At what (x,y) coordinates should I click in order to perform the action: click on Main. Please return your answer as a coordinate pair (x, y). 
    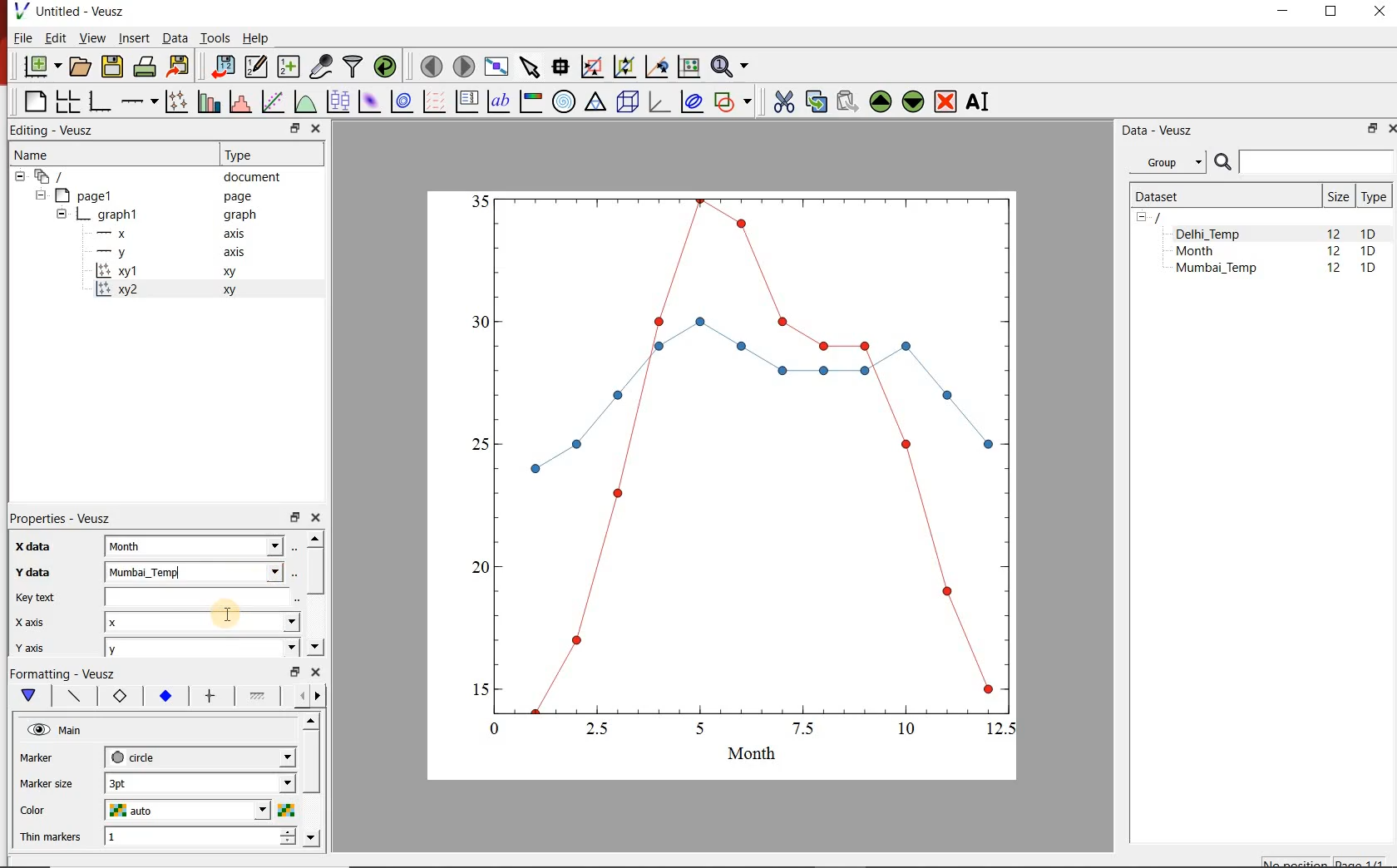
    Looking at the image, I should click on (57, 730).